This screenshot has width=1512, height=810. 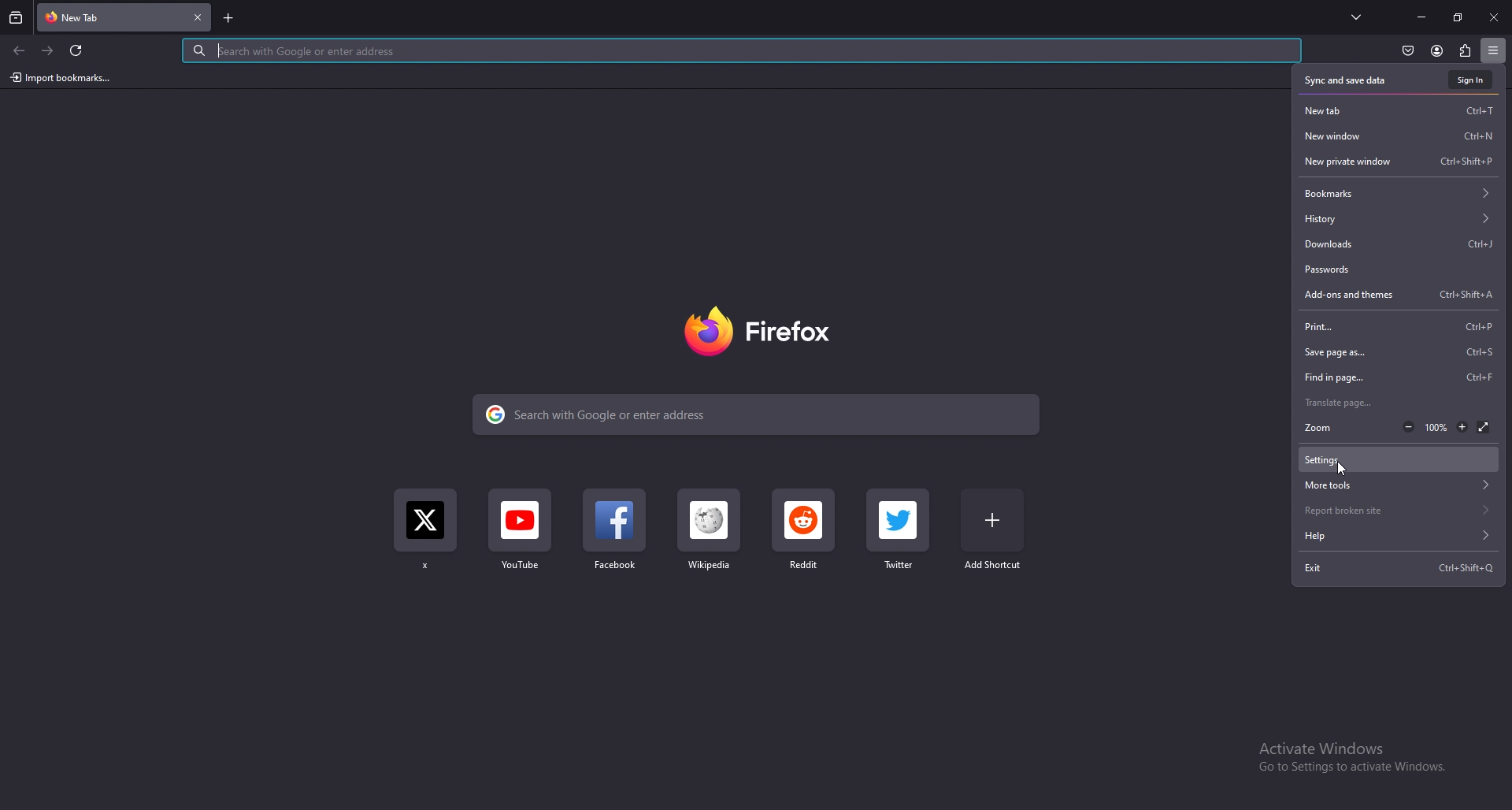 I want to click on recent browsing, so click(x=16, y=19).